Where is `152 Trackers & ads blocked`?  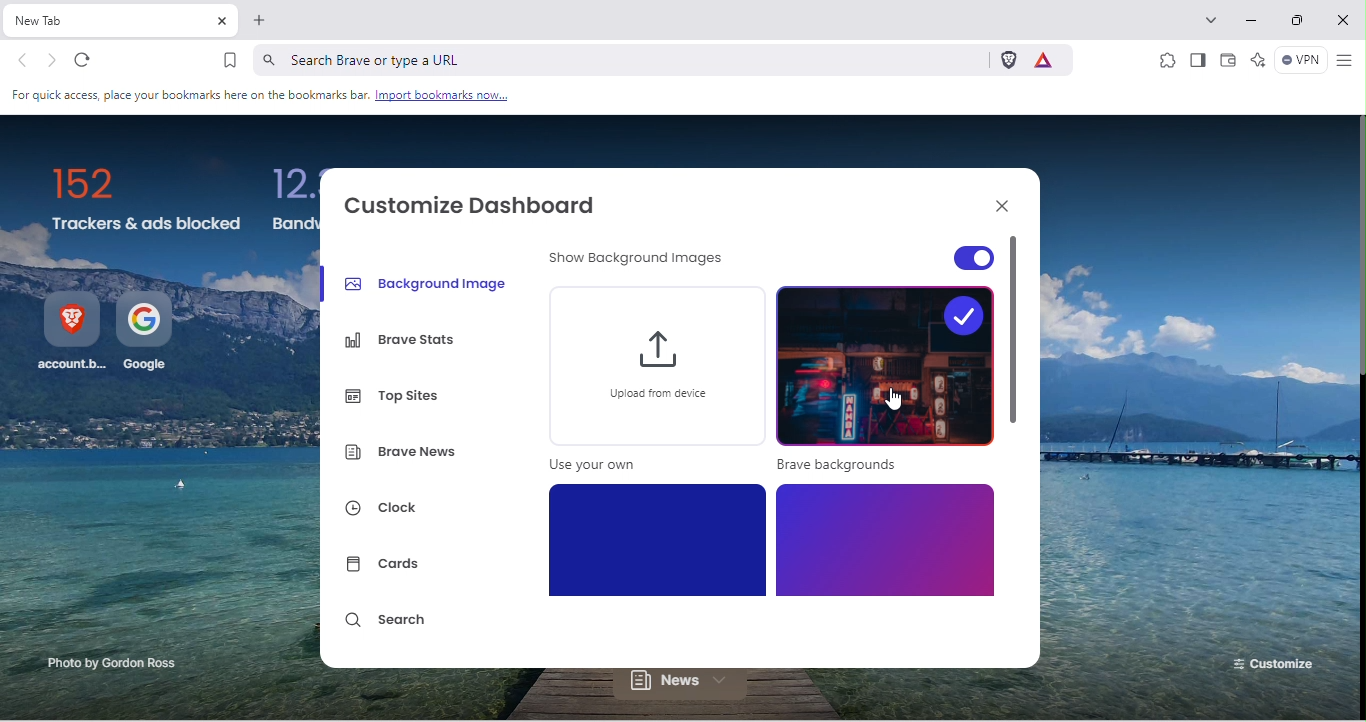
152 Trackers & ads blocked is located at coordinates (147, 201).